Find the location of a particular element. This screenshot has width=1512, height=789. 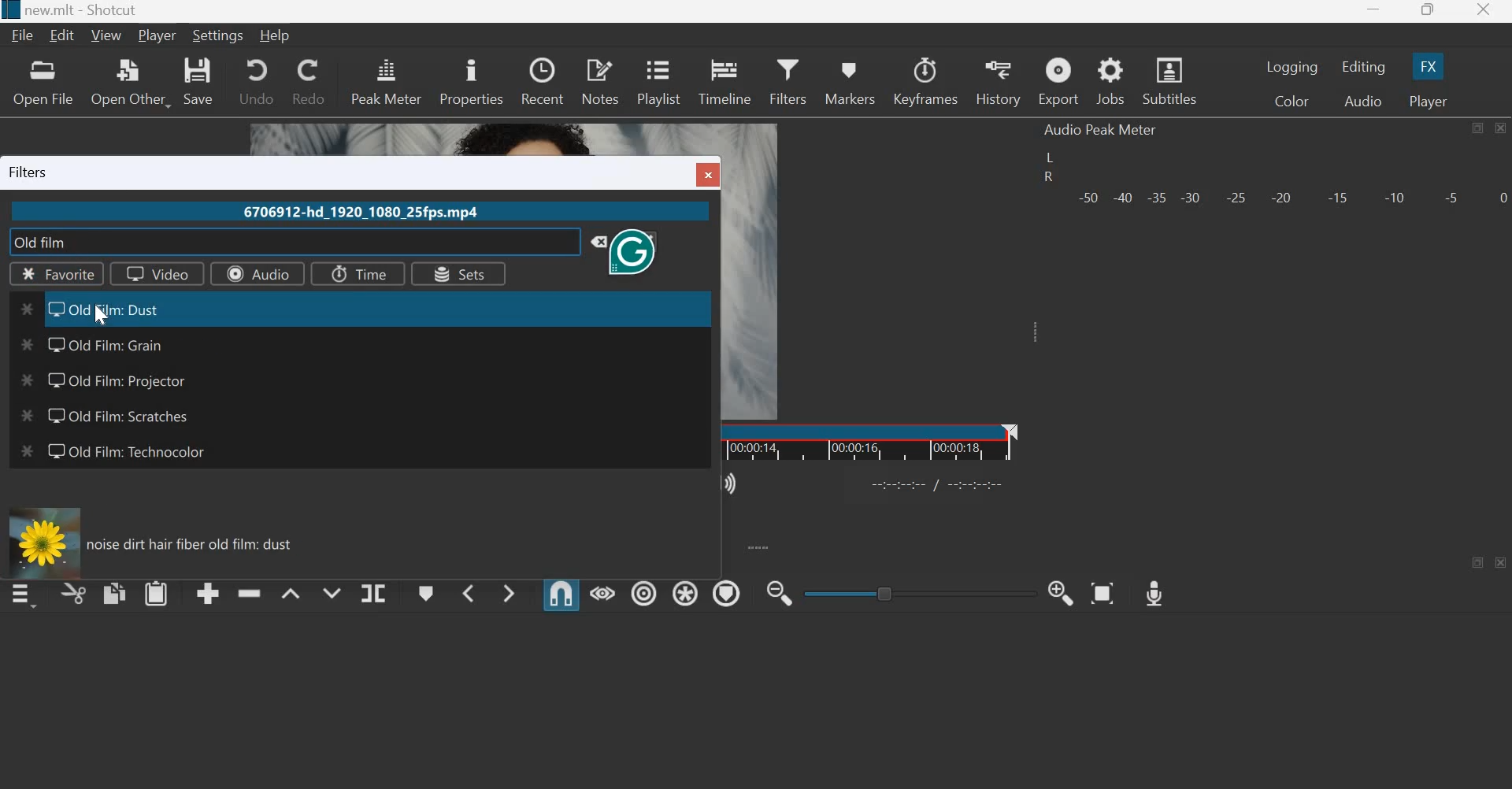

Audio is located at coordinates (256, 273).